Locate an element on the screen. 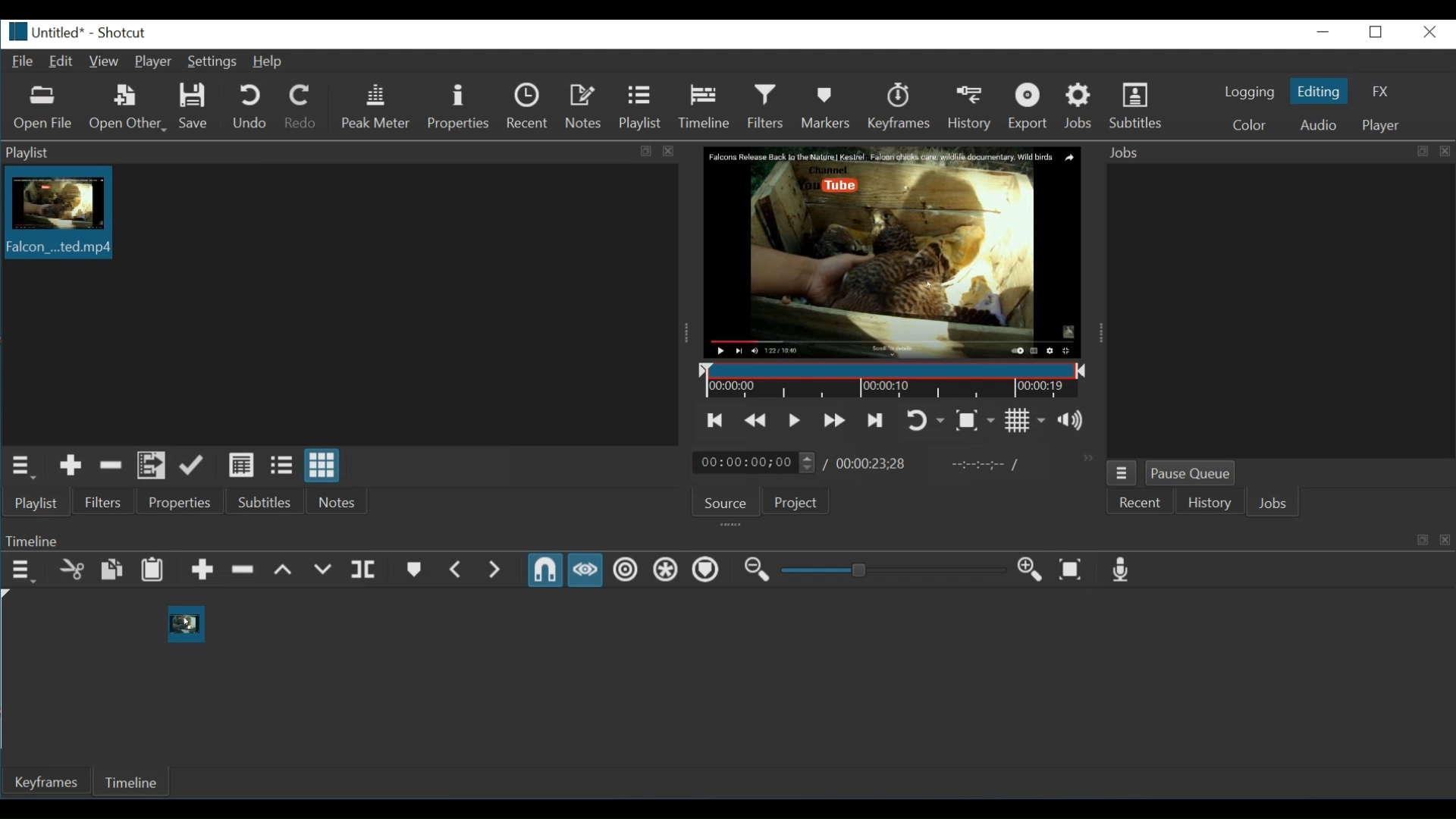  Open File is located at coordinates (43, 110).